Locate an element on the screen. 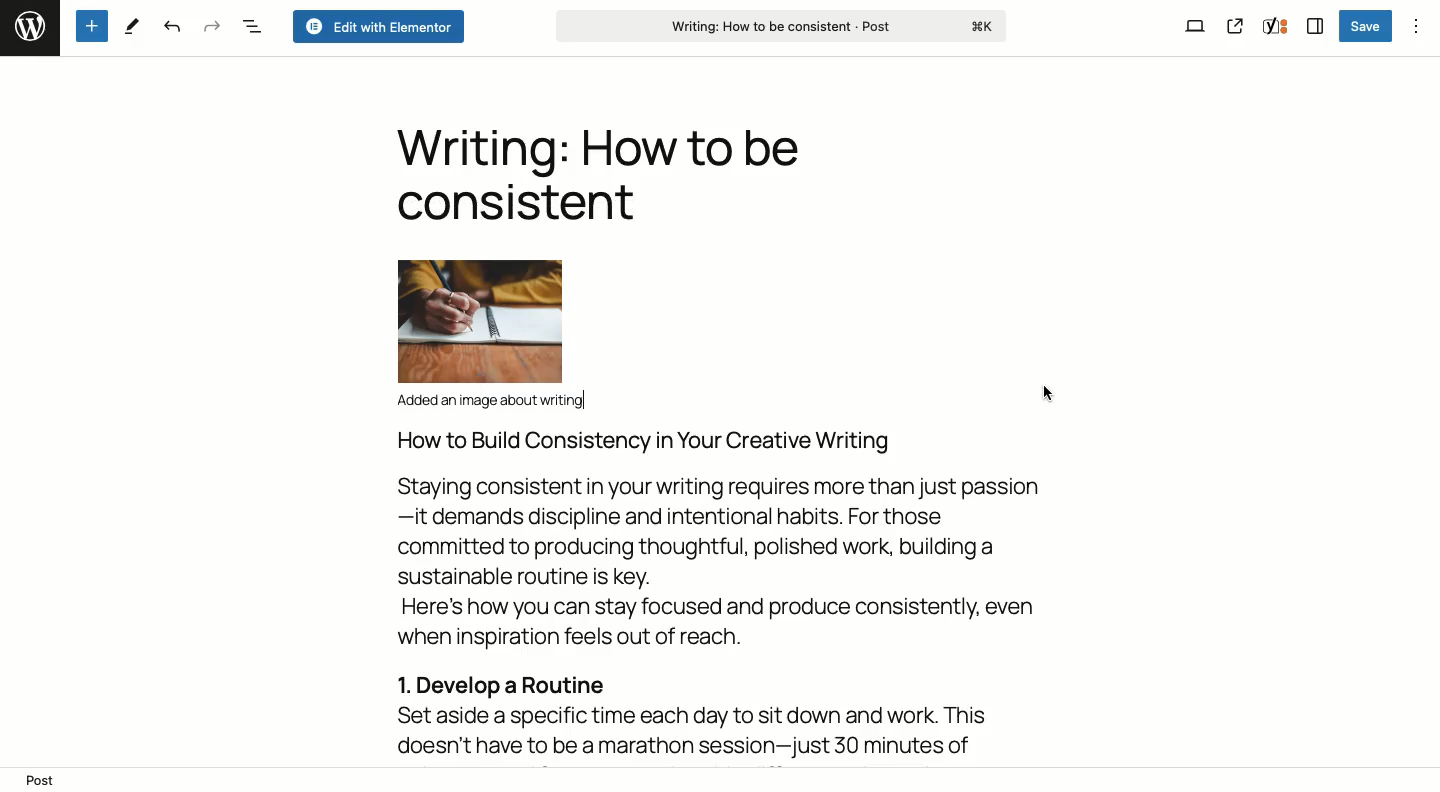 This screenshot has height=792, width=1440. How to Build Consistency in Your Creative WritingStaying consistent in your writing requires more than just passion—it demands discipline and intentional habits. For thosecommitted to producing thoughtful, polished work, building asustainable routine is key.Here's how you can stay focused and produce consistently, evenwhen inspiration feels out of reach.1. Develop a RoutineSet aside a specific time each day to sit down and work. Thisdoesn't have to be a marathon session—just 30 minutes is located at coordinates (725, 596).